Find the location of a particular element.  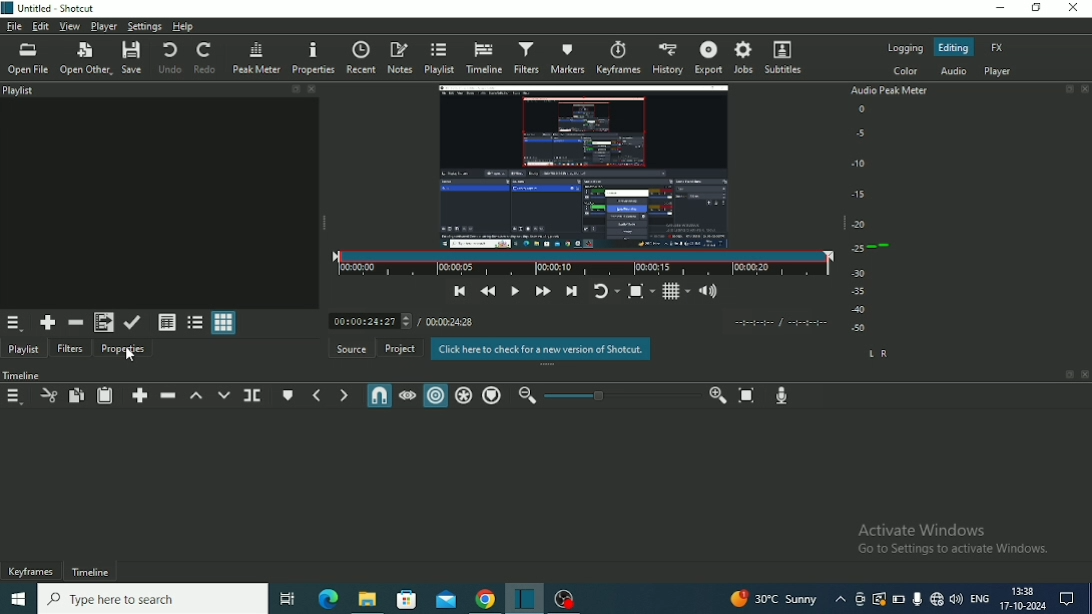

Playlist menu is located at coordinates (15, 325).